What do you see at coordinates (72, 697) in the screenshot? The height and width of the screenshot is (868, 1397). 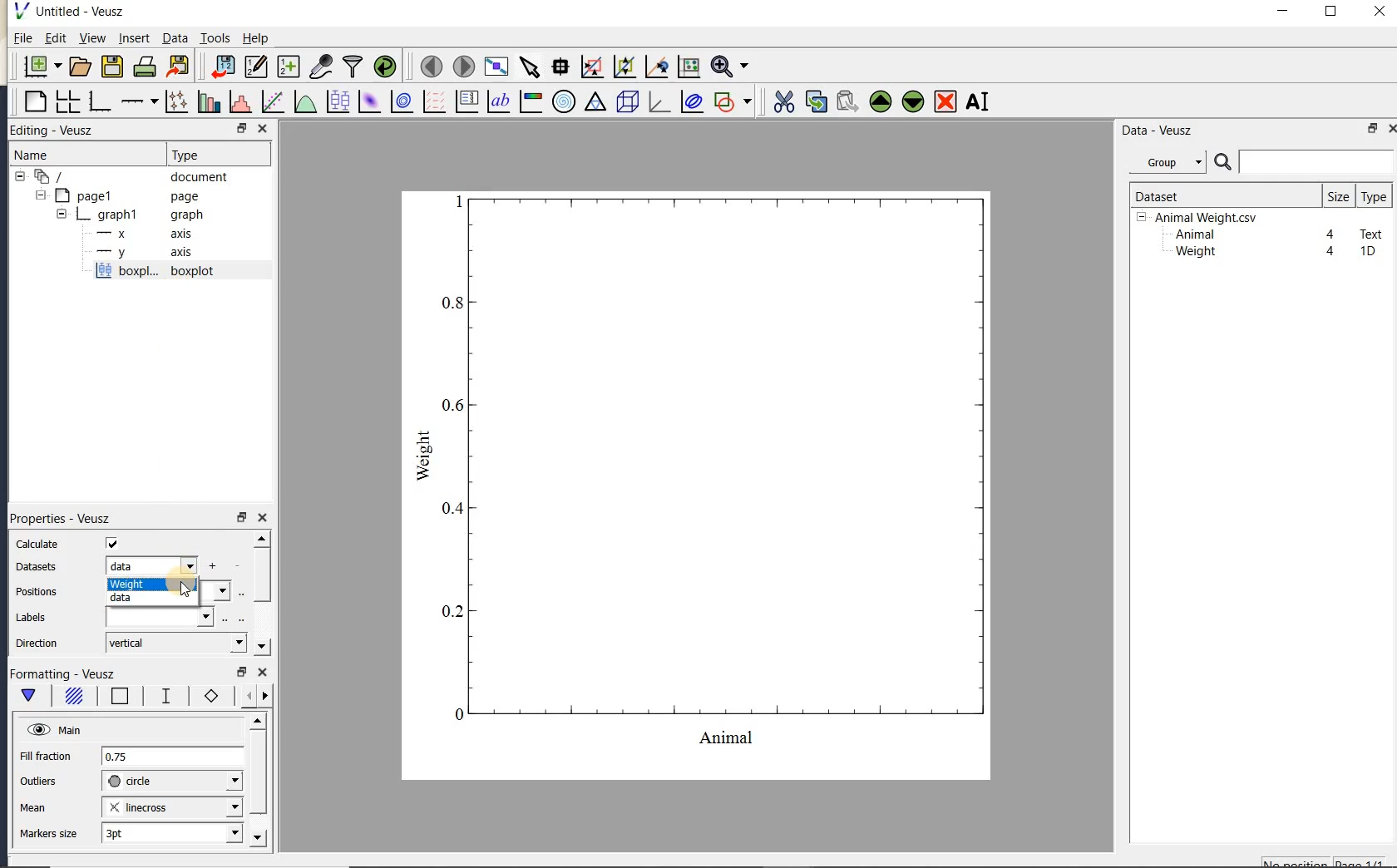 I see `box fill` at bounding box center [72, 697].